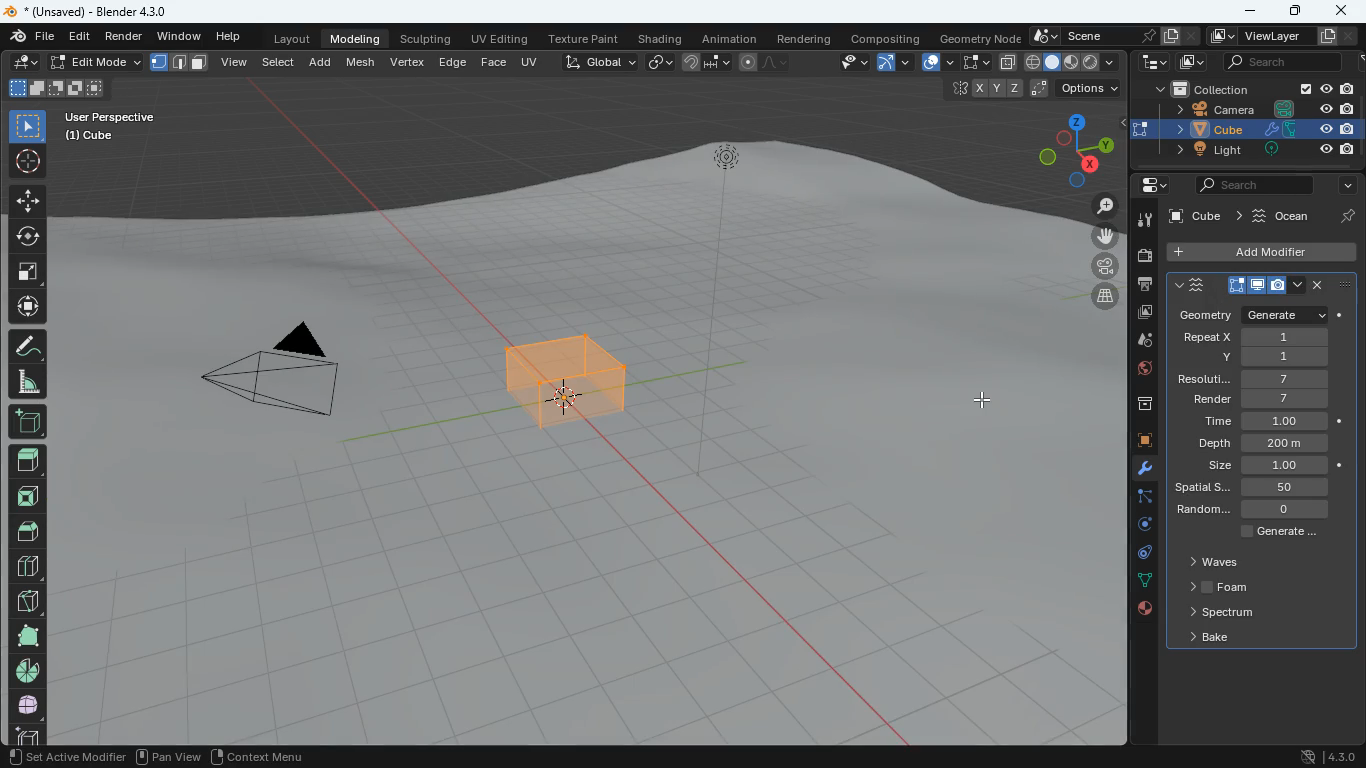  Describe the element at coordinates (27, 460) in the screenshot. I see `head` at that location.